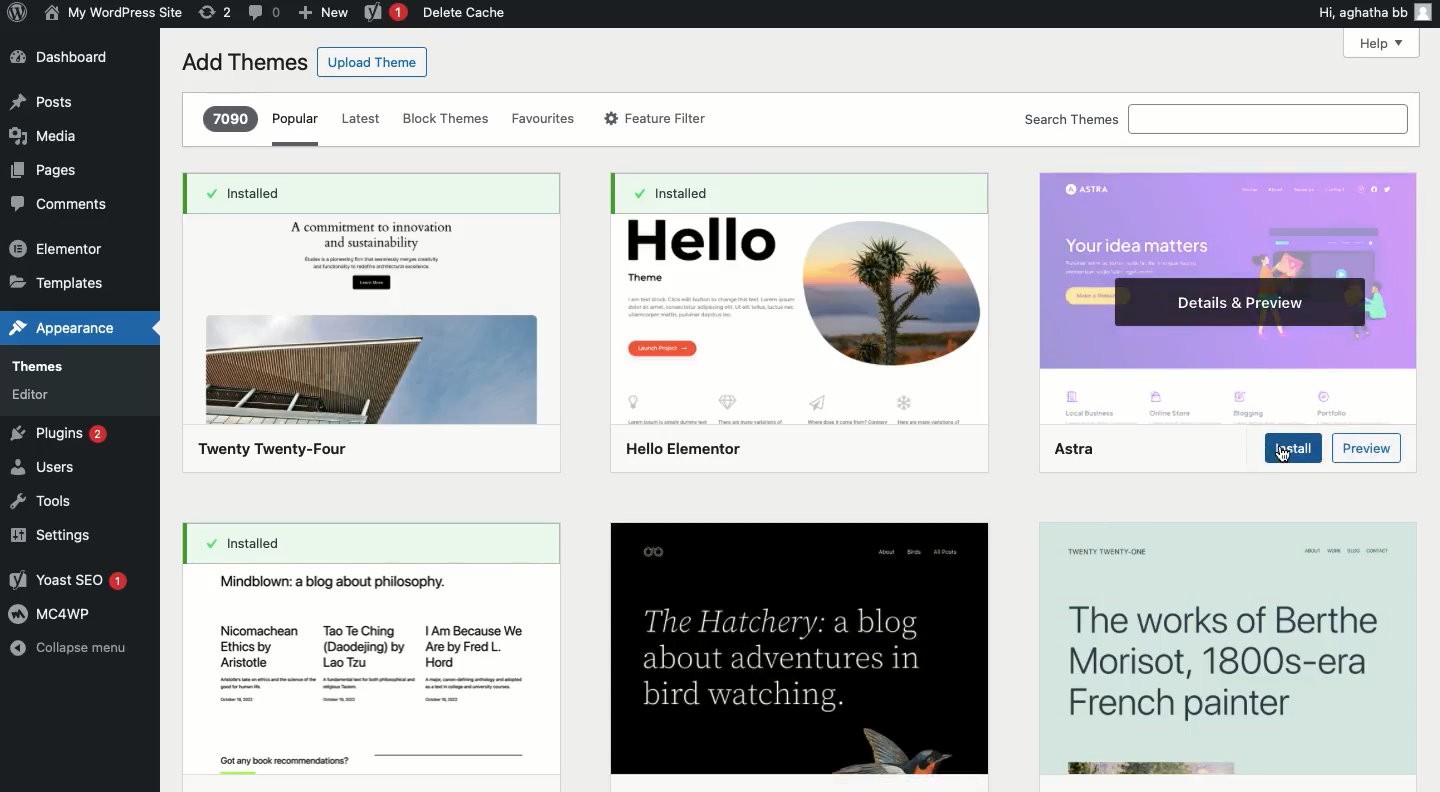 Image resolution: width=1440 pixels, height=792 pixels. Describe the element at coordinates (1281, 456) in the screenshot. I see `cursor` at that location.